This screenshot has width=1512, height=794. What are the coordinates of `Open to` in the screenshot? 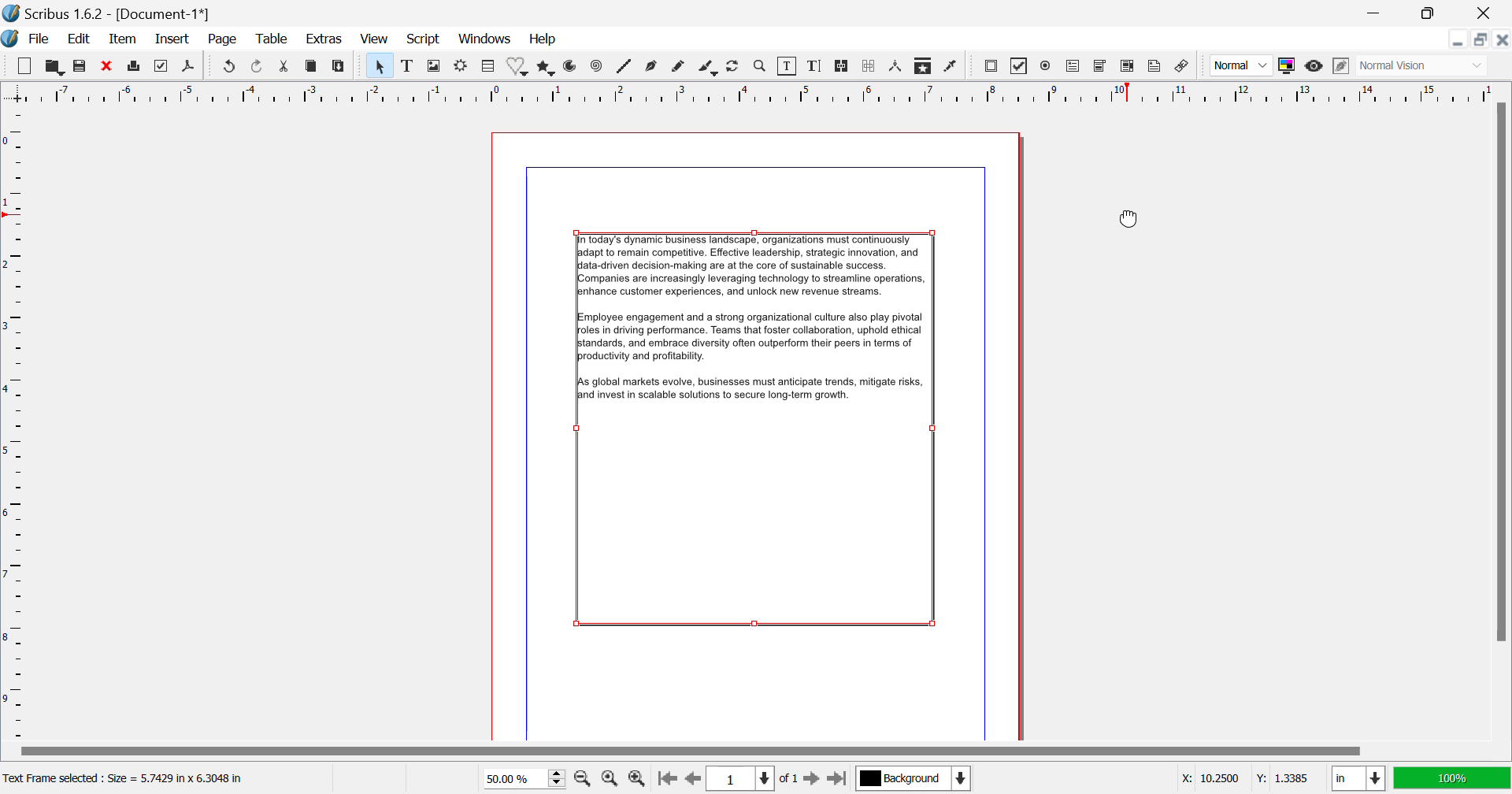 It's located at (55, 65).